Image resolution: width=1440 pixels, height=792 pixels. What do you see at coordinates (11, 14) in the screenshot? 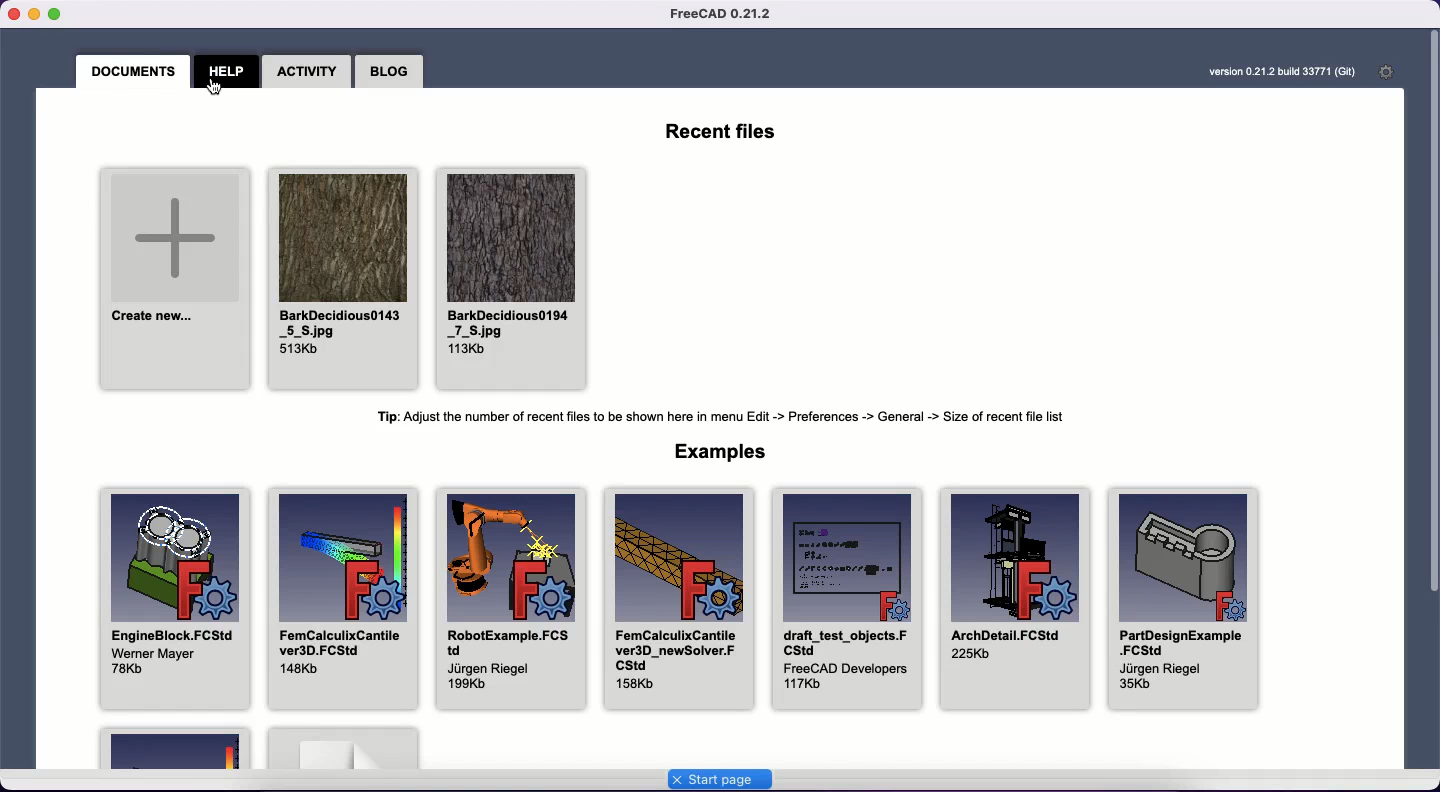
I see `Close` at bounding box center [11, 14].